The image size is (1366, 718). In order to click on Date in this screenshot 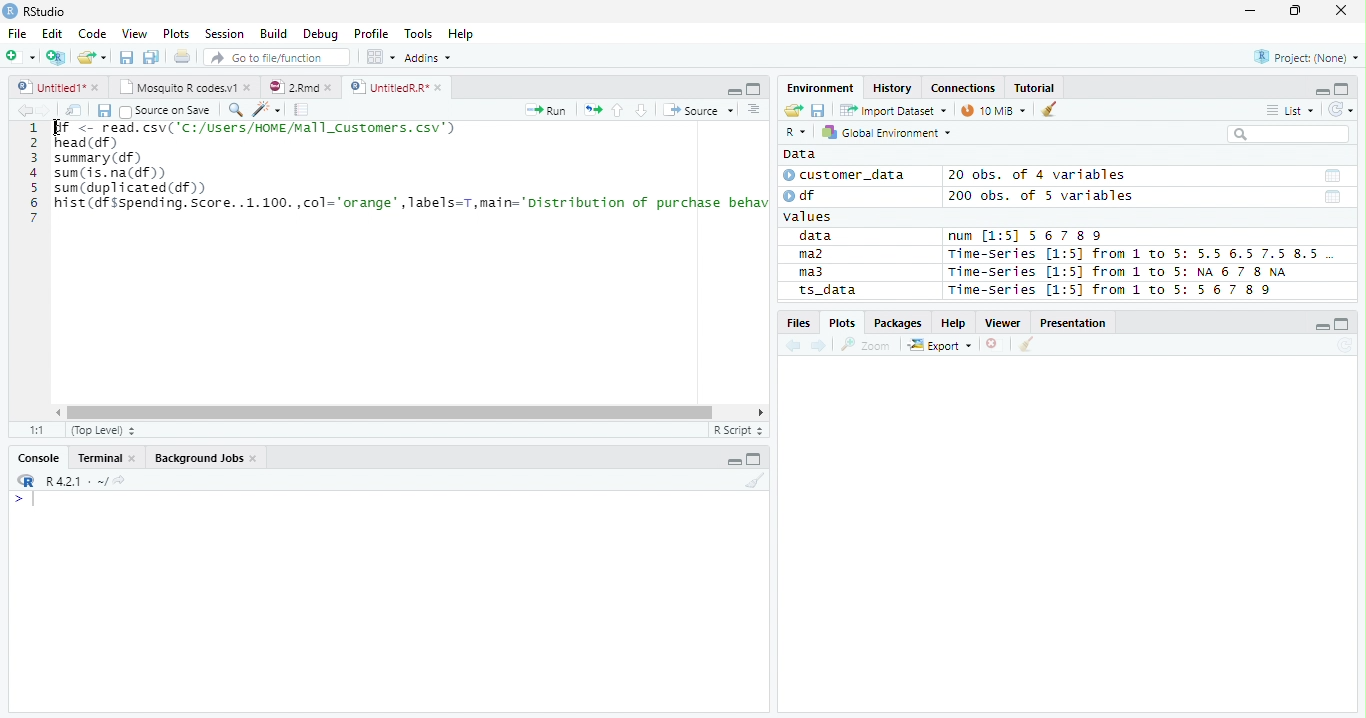, I will do `click(1333, 198)`.